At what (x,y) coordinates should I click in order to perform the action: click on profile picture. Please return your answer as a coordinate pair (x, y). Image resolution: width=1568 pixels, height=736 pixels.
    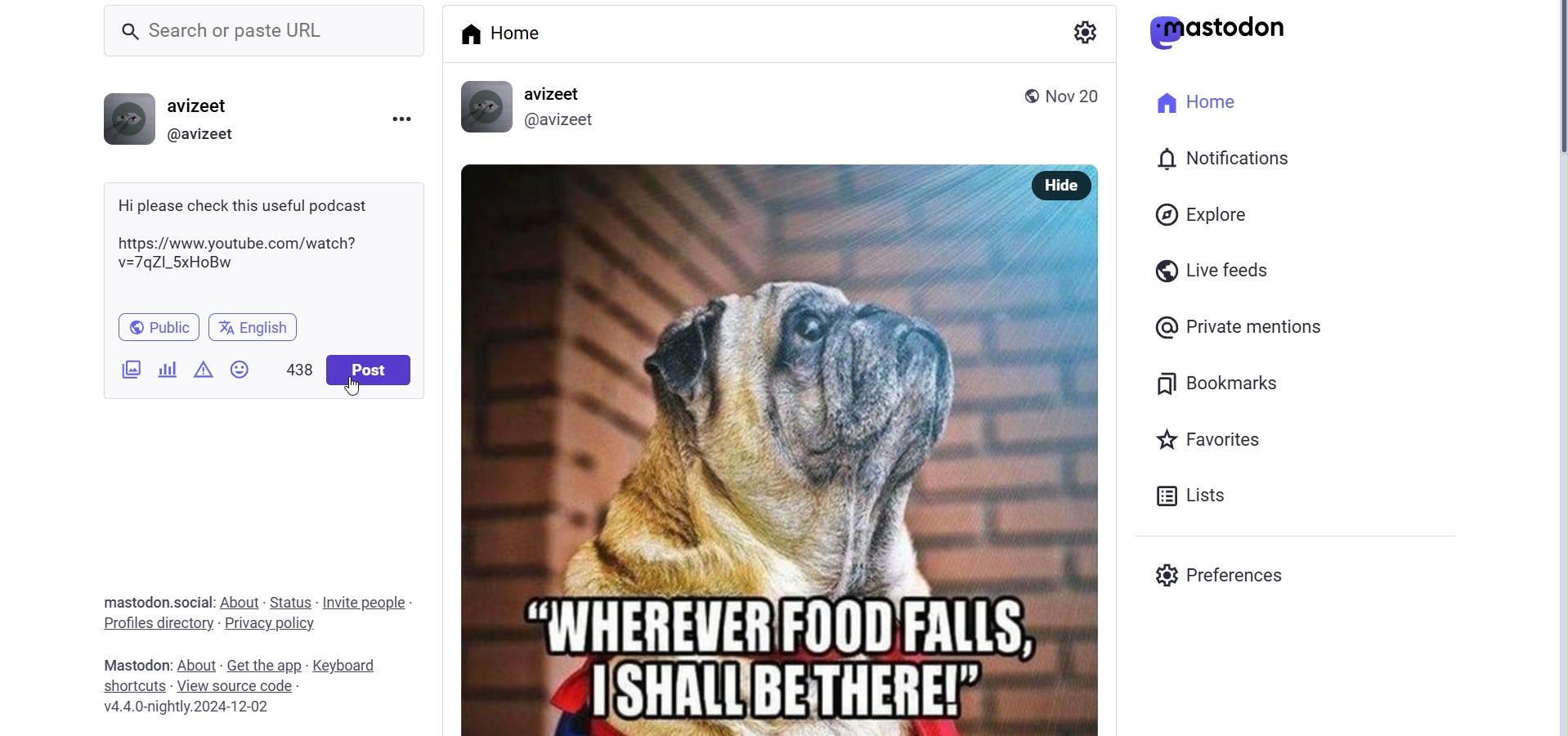
    Looking at the image, I should click on (486, 107).